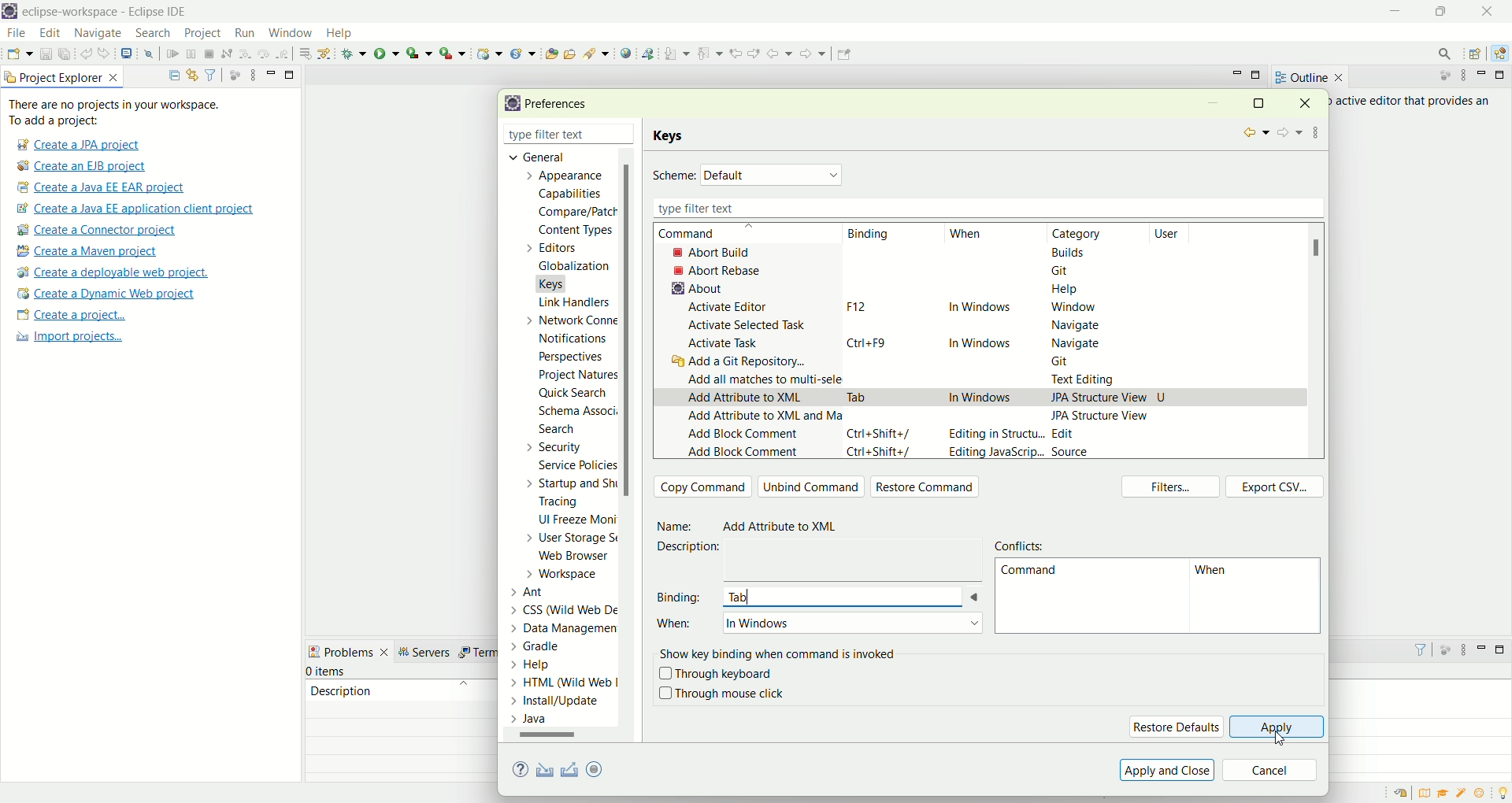  I want to click on view menu, so click(1462, 653).